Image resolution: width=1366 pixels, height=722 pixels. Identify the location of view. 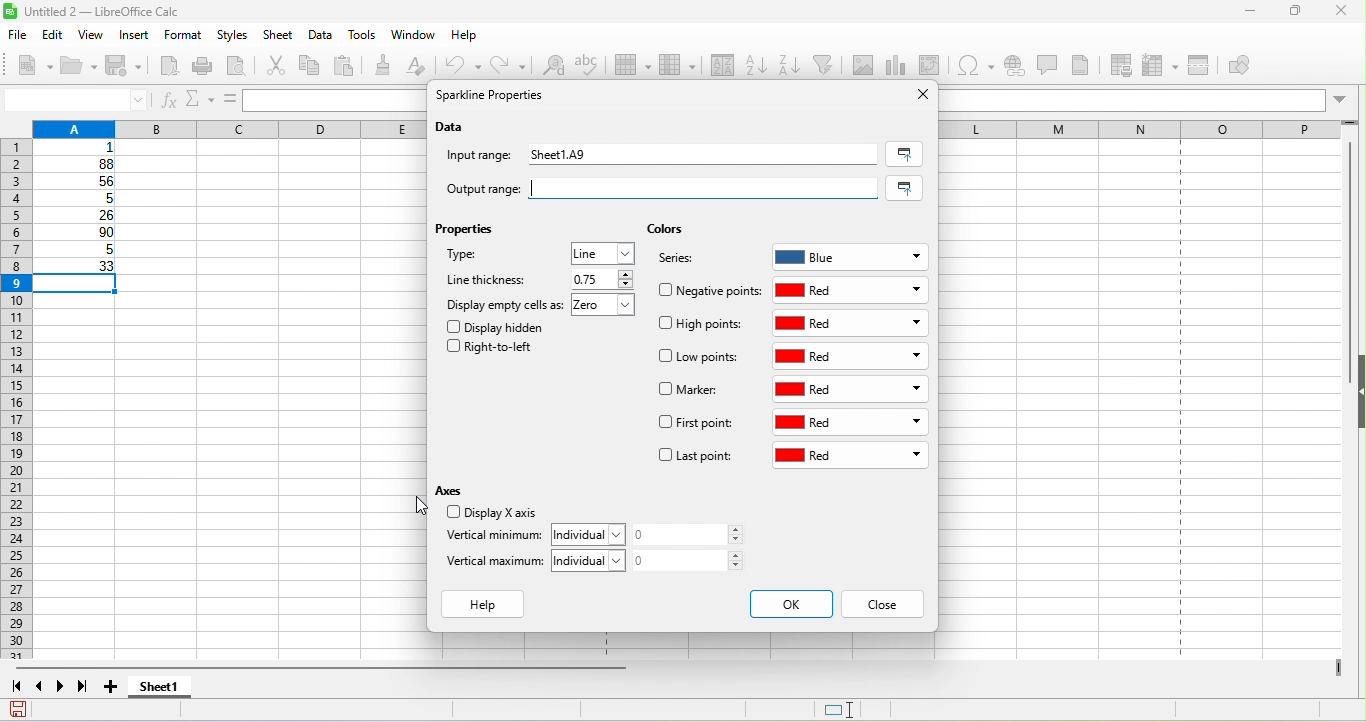
(96, 35).